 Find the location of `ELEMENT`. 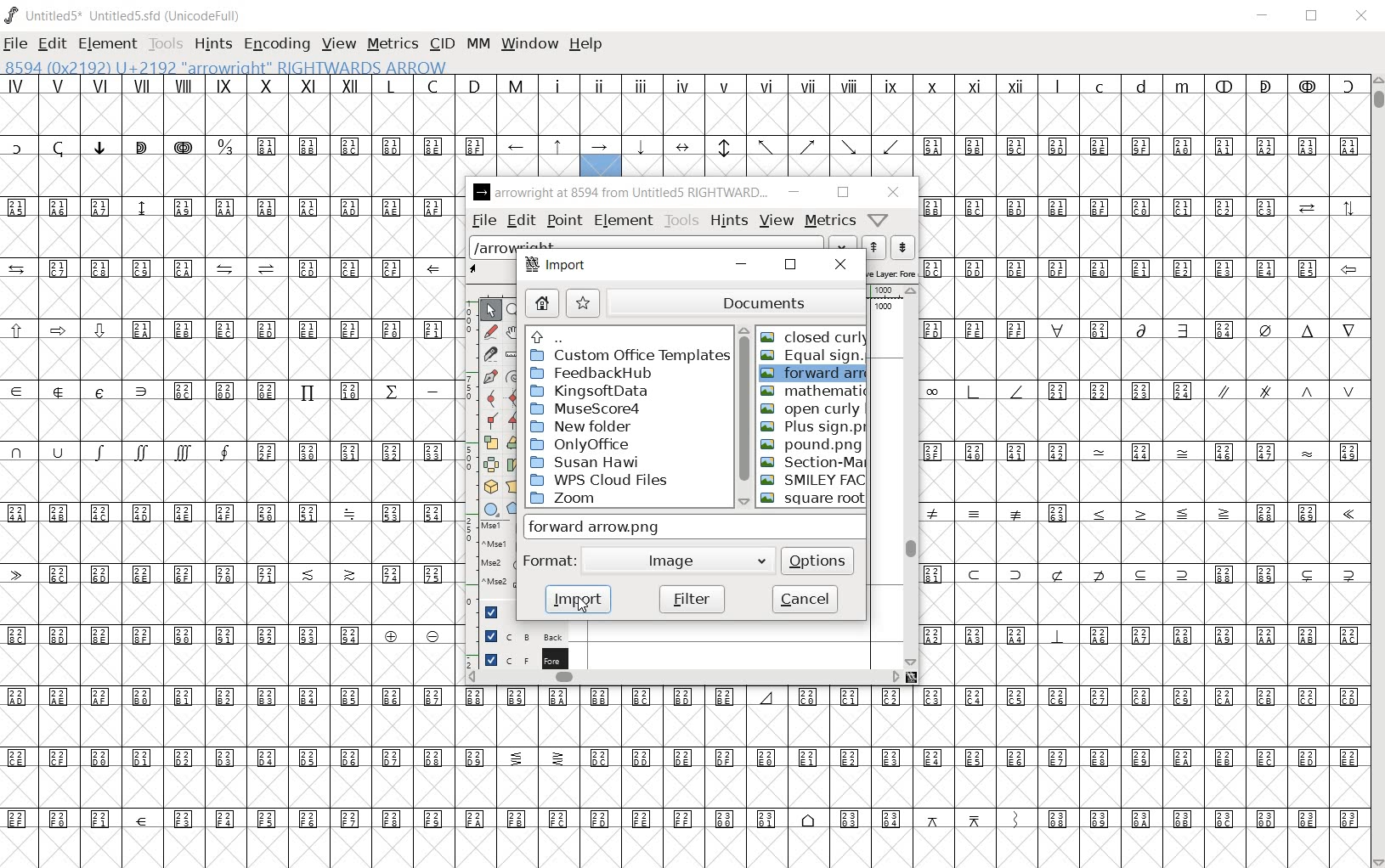

ELEMENT is located at coordinates (109, 43).